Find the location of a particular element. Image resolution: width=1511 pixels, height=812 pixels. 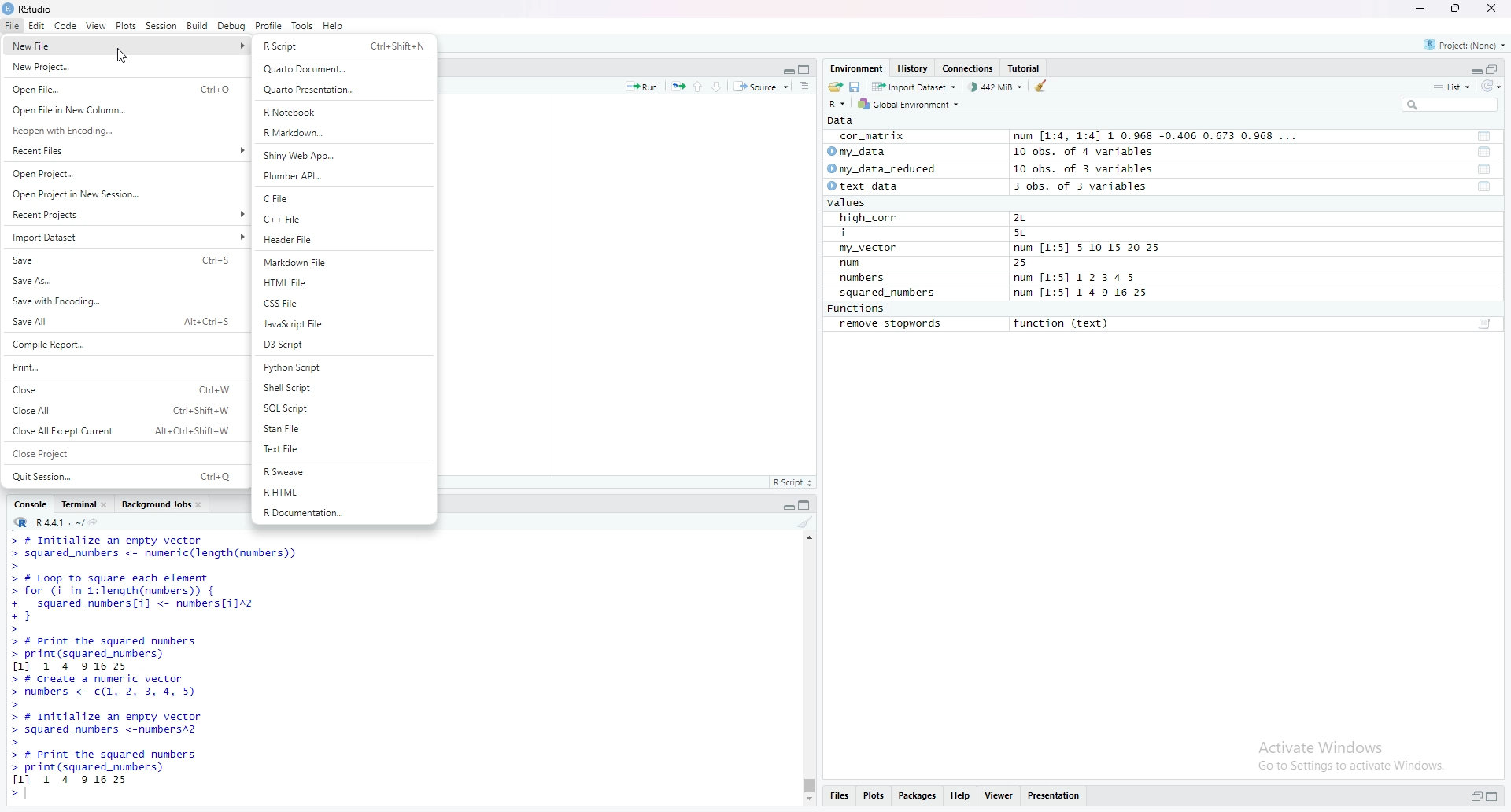

num [1:4, 1:4] 1 0.968 -0.400 0.6/3 0.968 ... is located at coordinates (1157, 133).